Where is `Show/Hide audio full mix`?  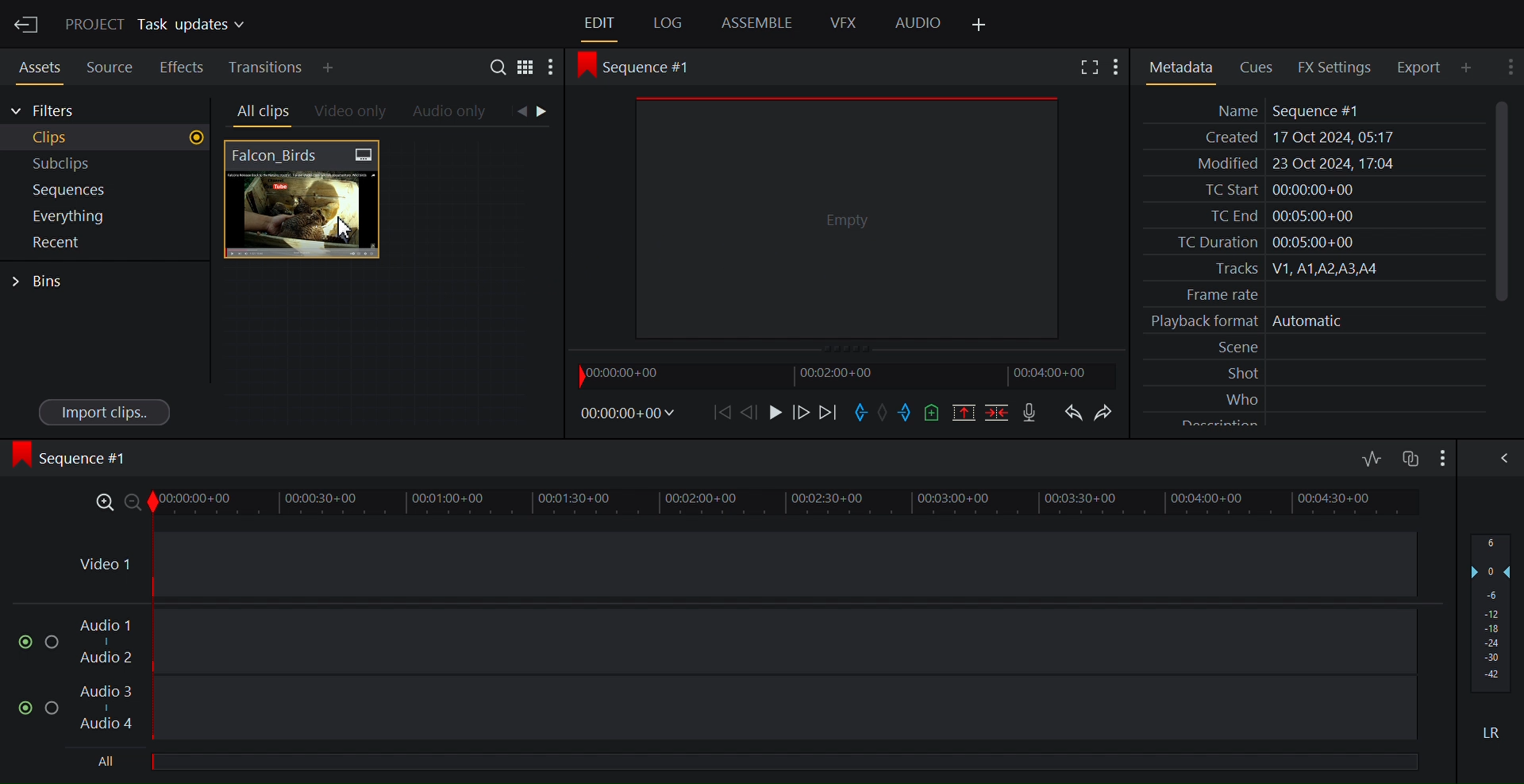 Show/Hide audio full mix is located at coordinates (1441, 457).